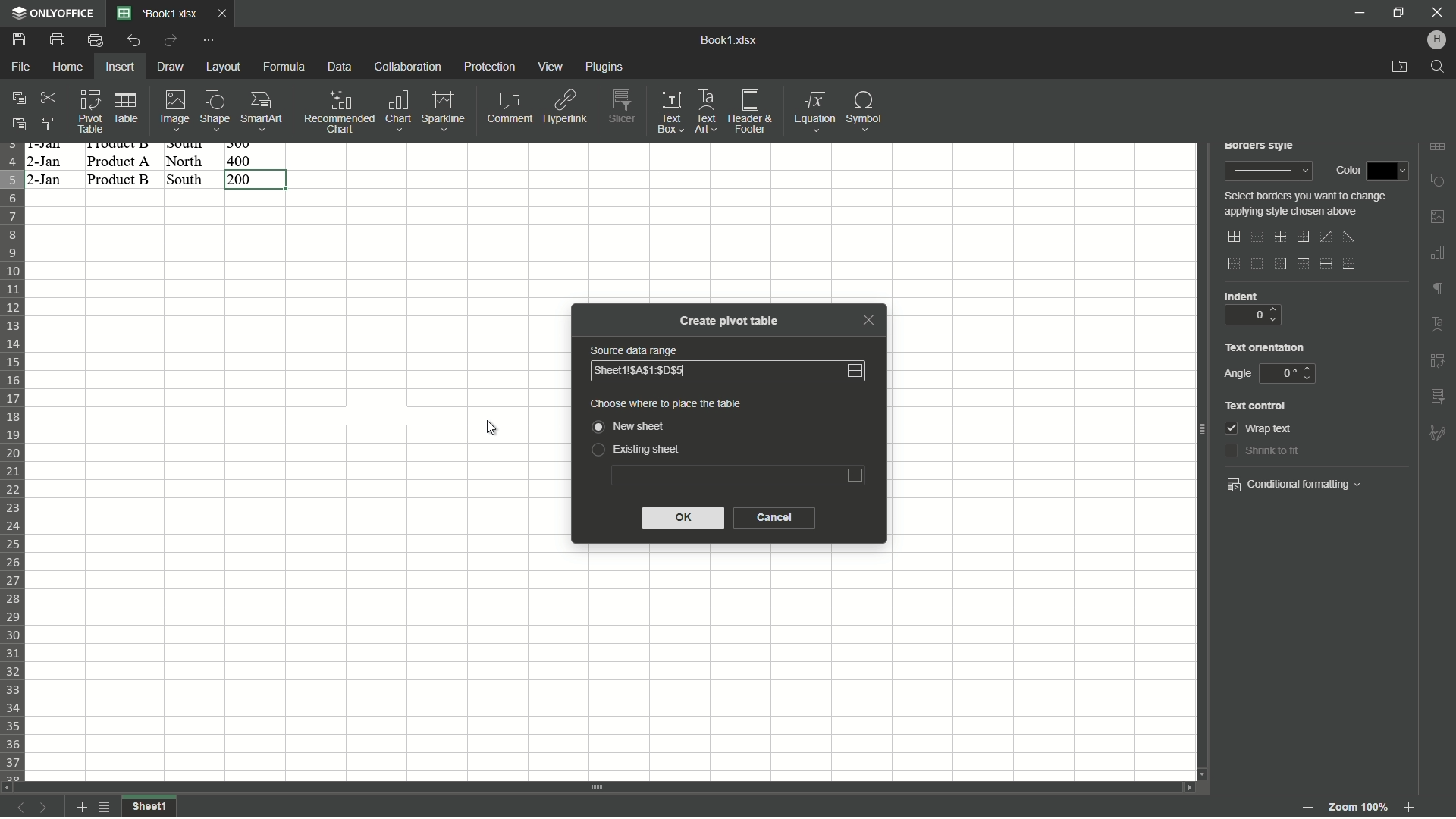 The image size is (1456, 819). What do you see at coordinates (88, 113) in the screenshot?
I see `Pivot table` at bounding box center [88, 113].